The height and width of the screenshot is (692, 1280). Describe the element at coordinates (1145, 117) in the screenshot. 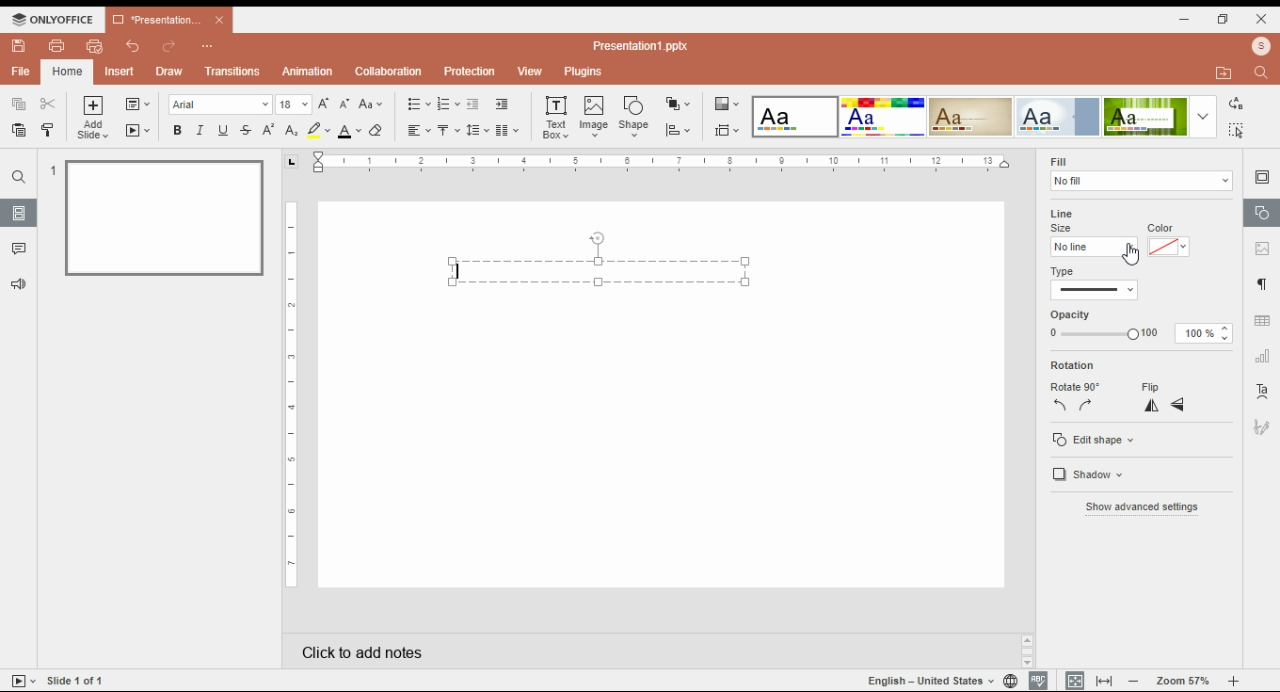

I see `color theme` at that location.